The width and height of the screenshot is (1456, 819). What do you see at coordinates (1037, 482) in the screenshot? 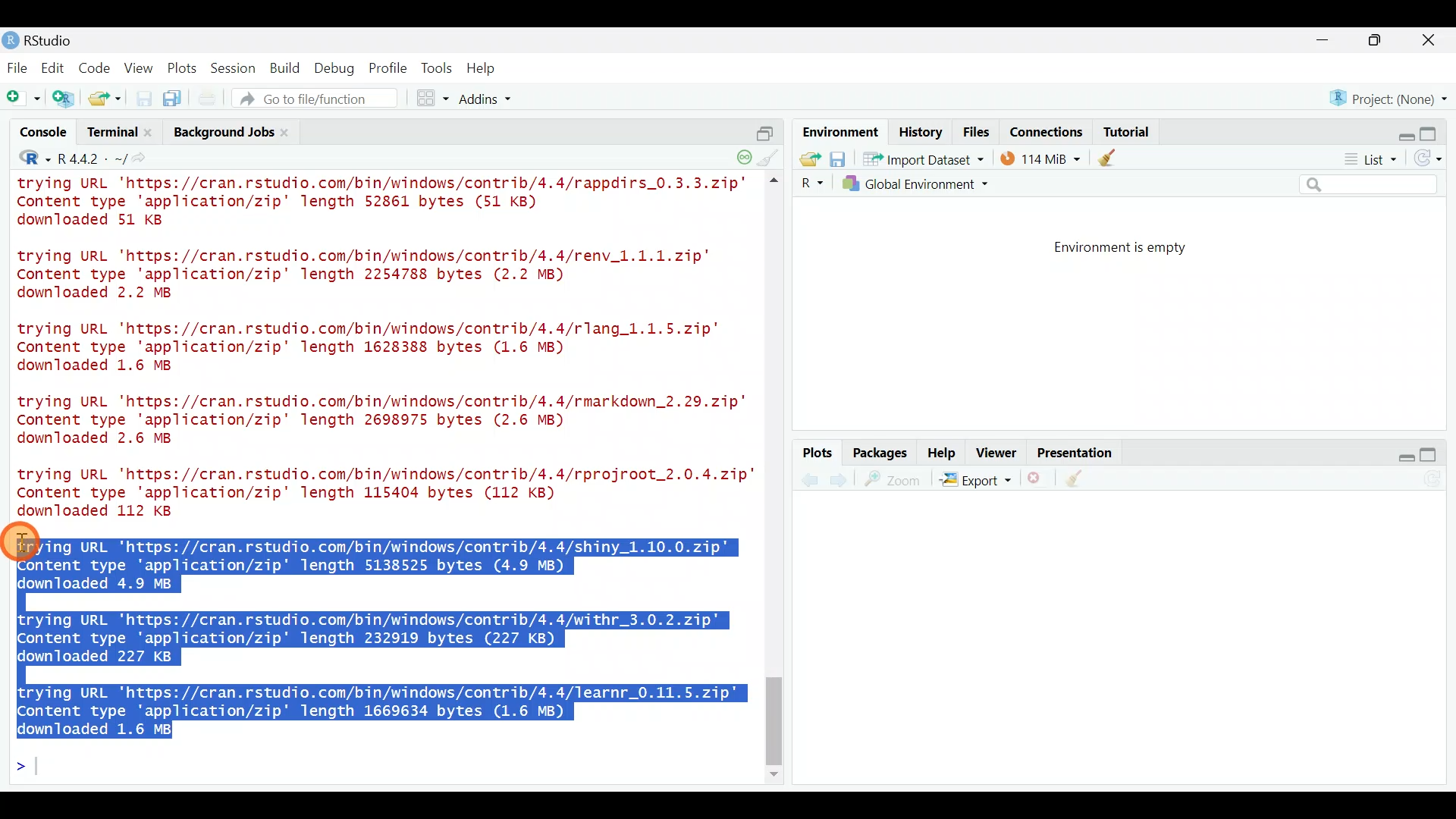
I see `remove the current plot` at bounding box center [1037, 482].